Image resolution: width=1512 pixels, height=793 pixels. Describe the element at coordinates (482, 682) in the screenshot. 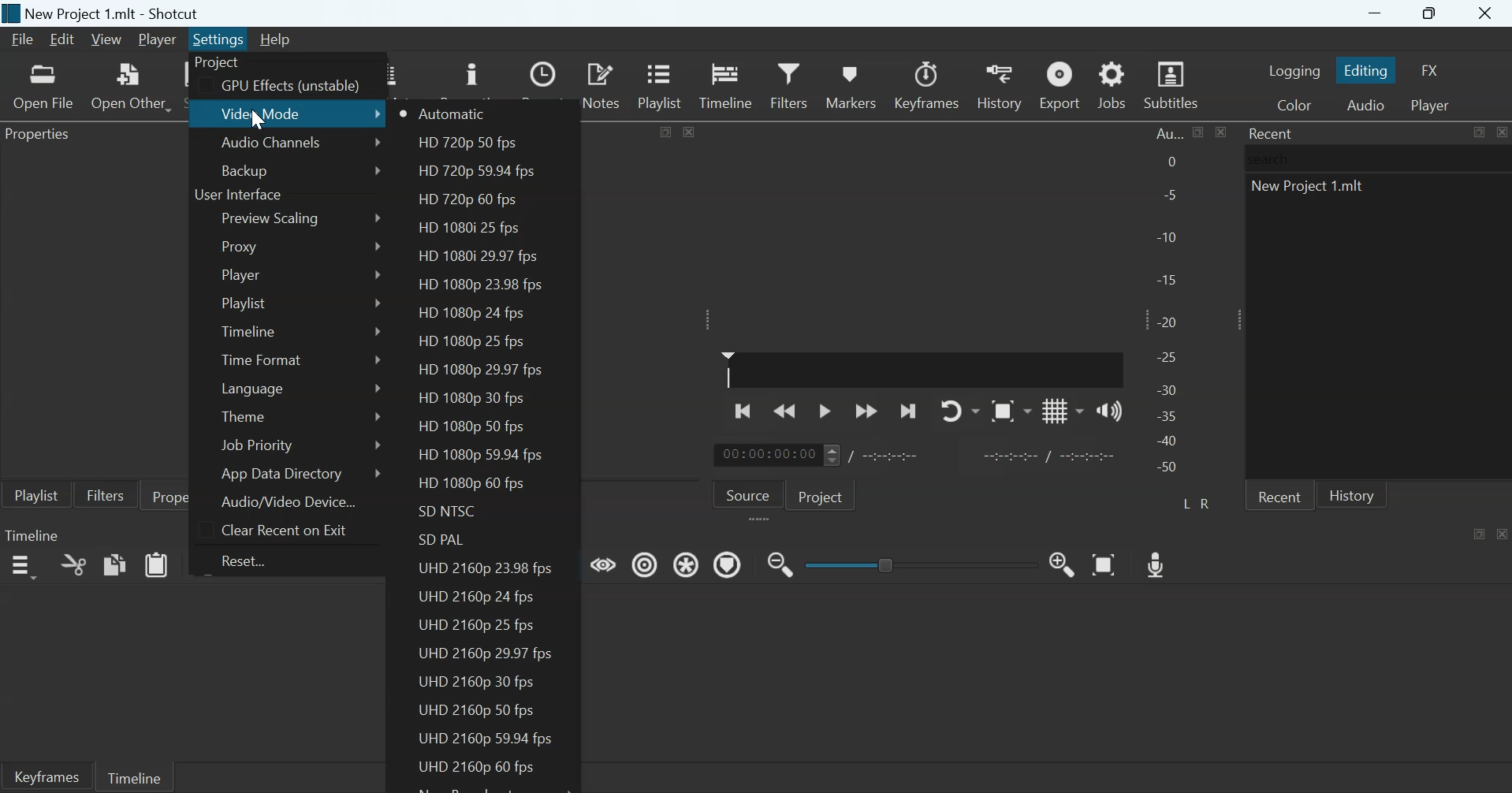

I see `UHD 2160p 30 fps` at that location.